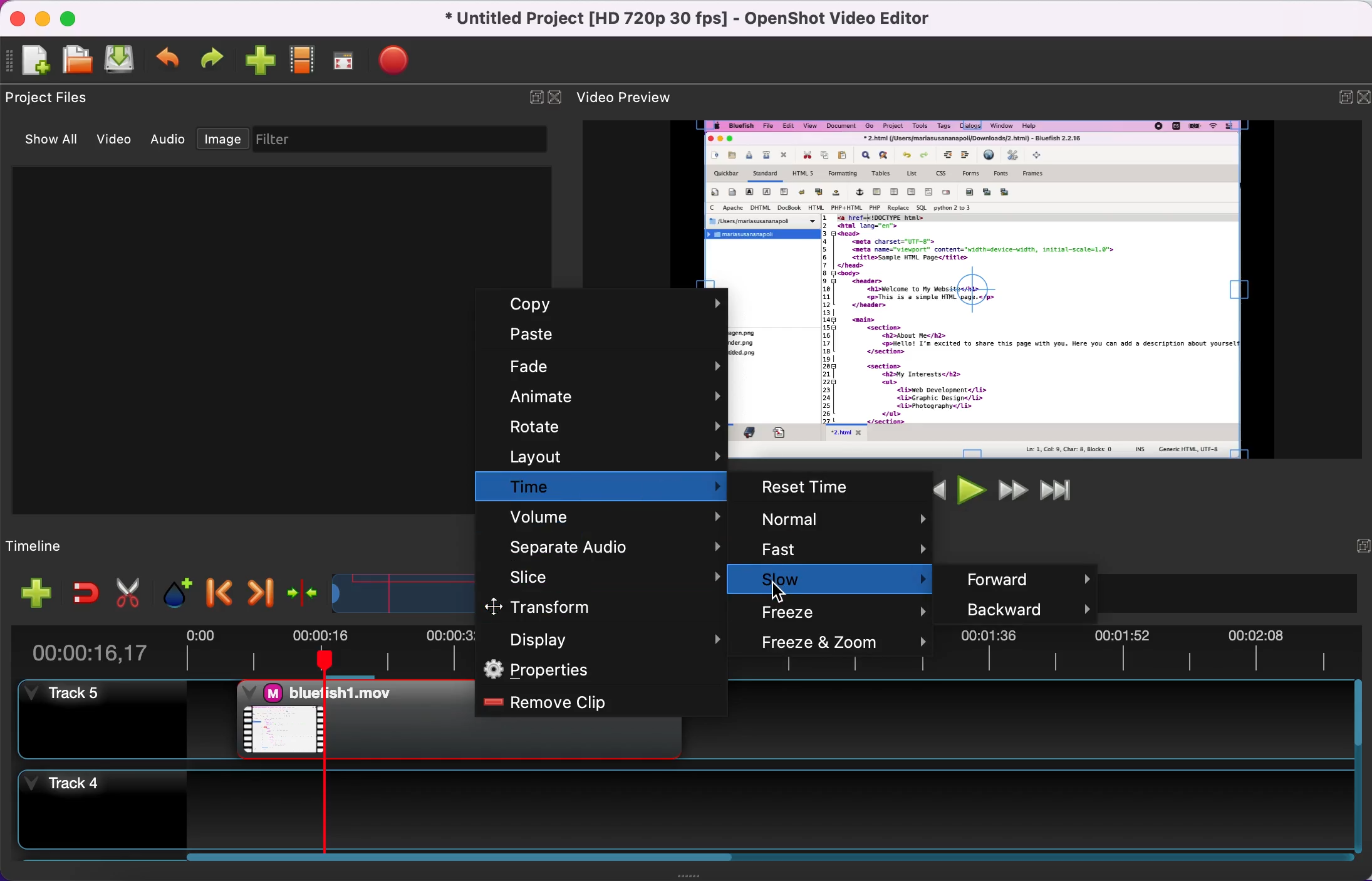 The width and height of the screenshot is (1372, 881). What do you see at coordinates (1056, 489) in the screenshot?
I see `jump to end` at bounding box center [1056, 489].